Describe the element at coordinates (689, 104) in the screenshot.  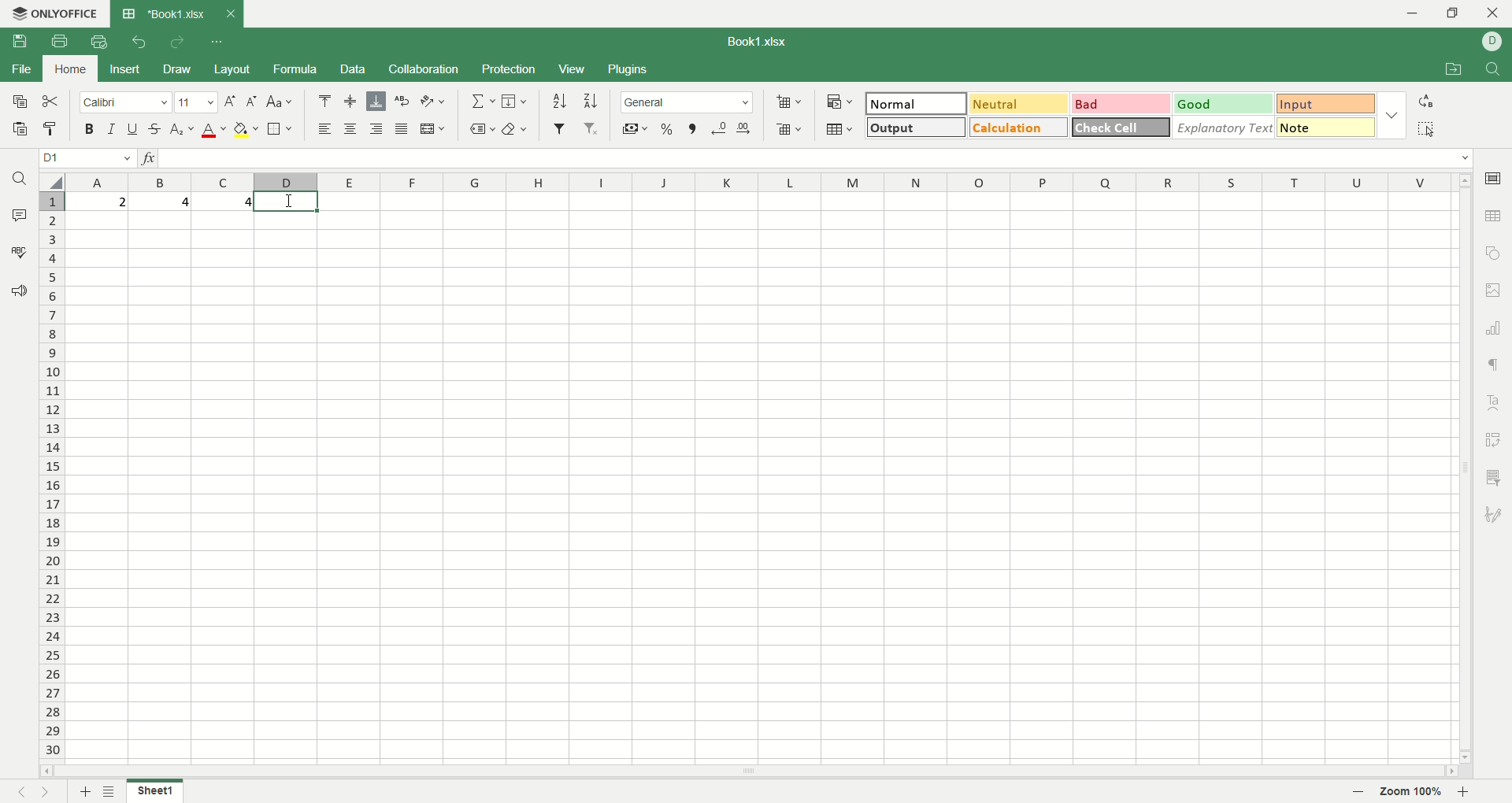
I see `general` at that location.